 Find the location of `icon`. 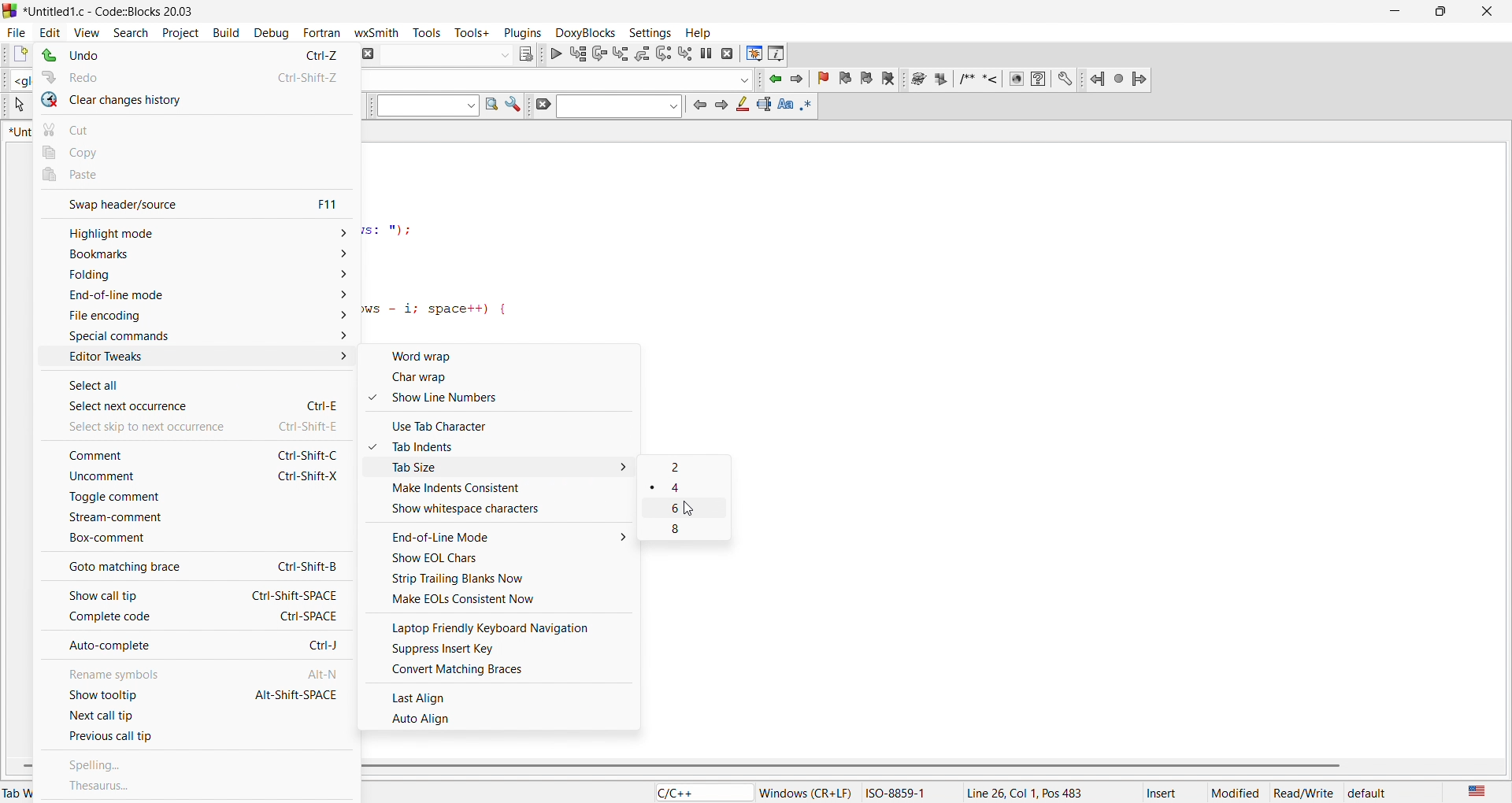

icon is located at coordinates (742, 109).